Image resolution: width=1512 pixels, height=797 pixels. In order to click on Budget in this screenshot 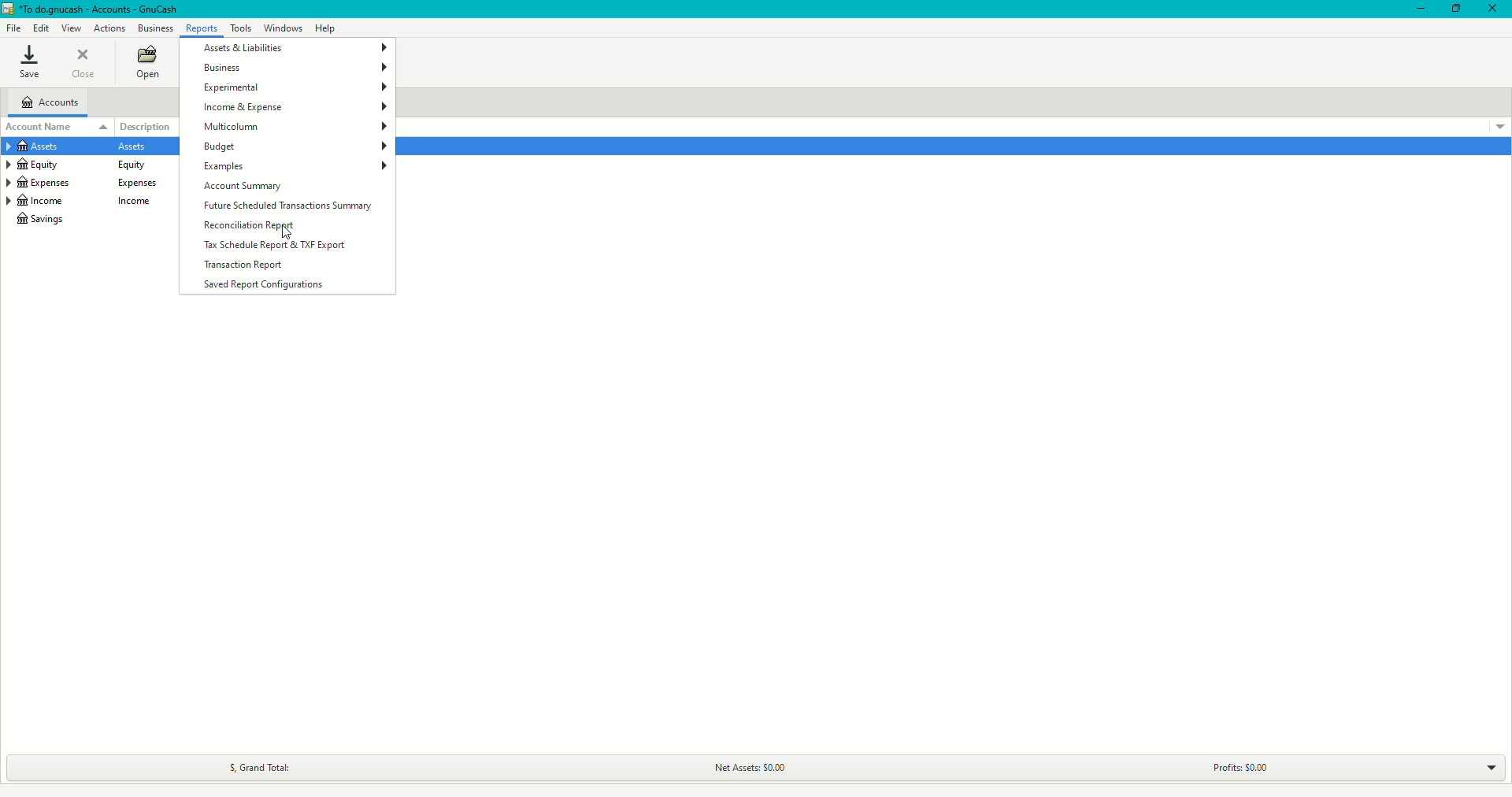, I will do `click(292, 148)`.